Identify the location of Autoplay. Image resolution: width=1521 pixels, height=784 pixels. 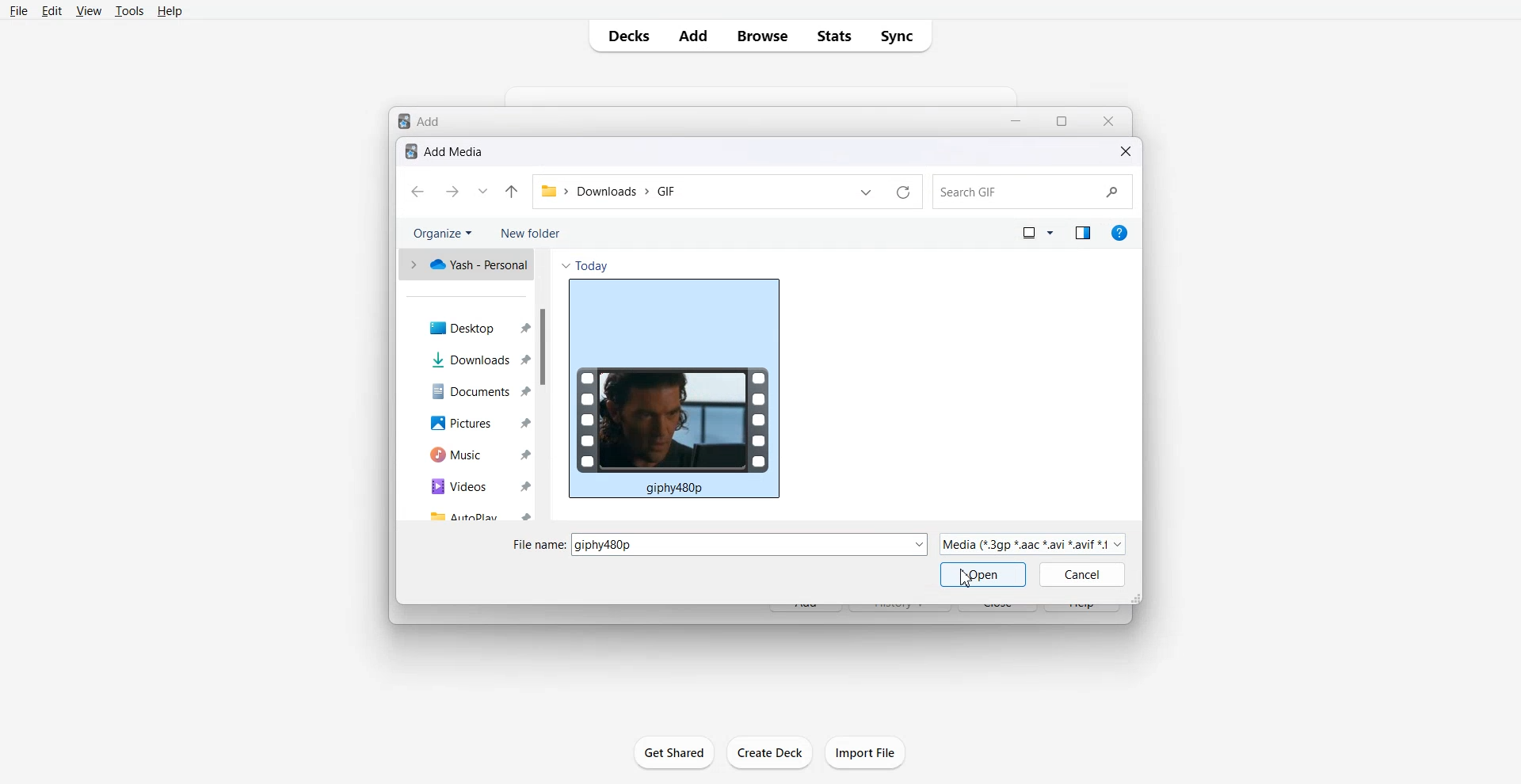
(471, 513).